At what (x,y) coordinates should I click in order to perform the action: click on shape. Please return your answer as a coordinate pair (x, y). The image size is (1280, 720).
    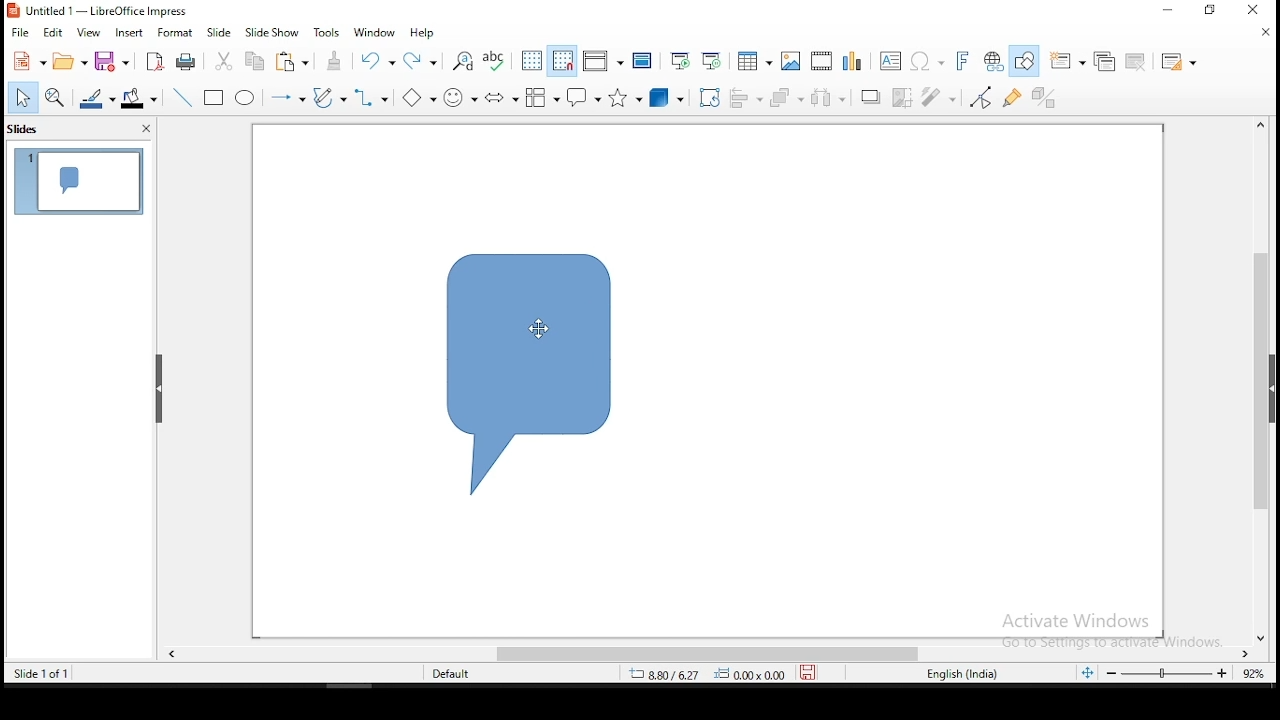
    Looking at the image, I should click on (533, 372).